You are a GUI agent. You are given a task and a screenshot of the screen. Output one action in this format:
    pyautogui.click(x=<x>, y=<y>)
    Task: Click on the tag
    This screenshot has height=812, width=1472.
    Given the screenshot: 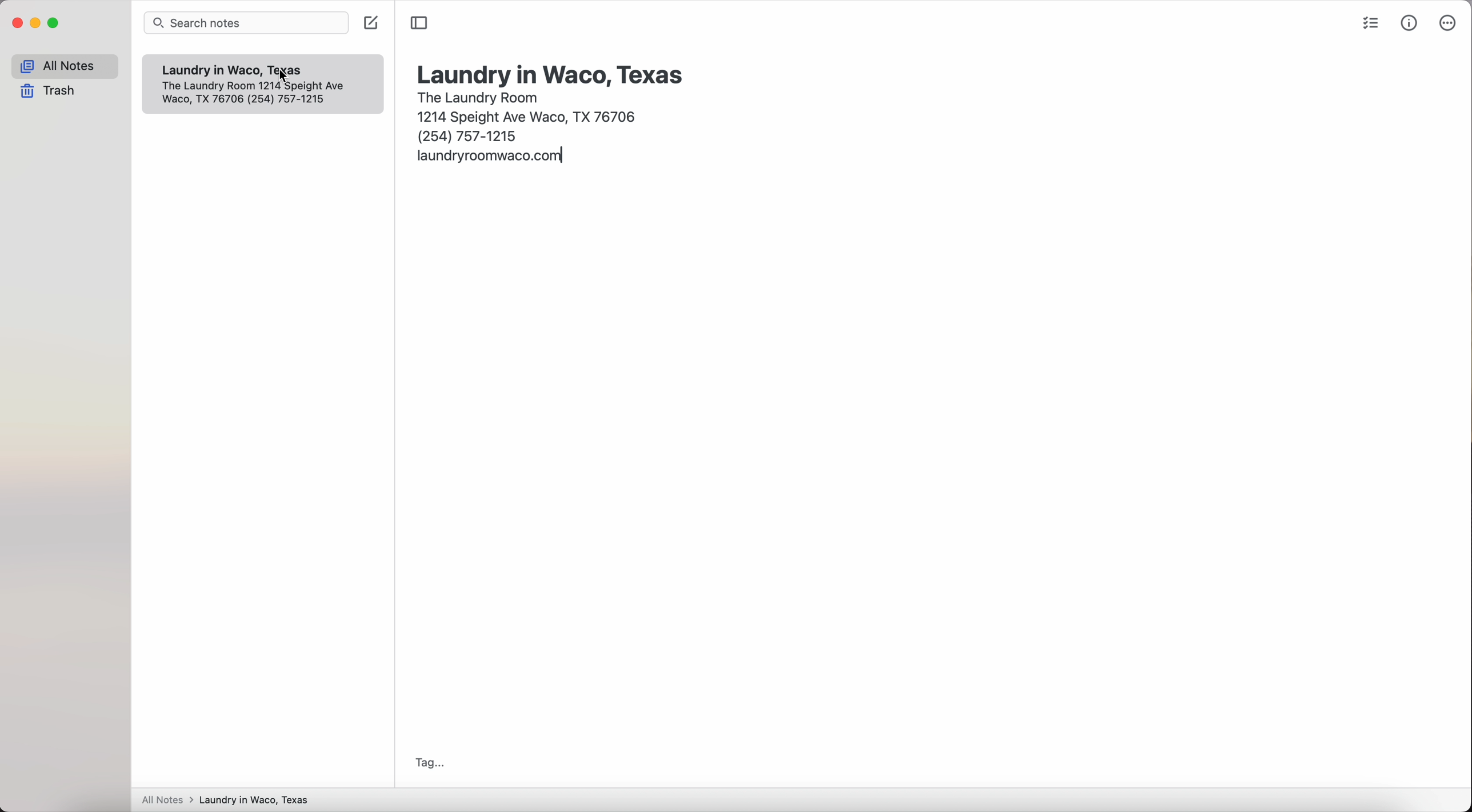 What is the action you would take?
    pyautogui.click(x=426, y=763)
    